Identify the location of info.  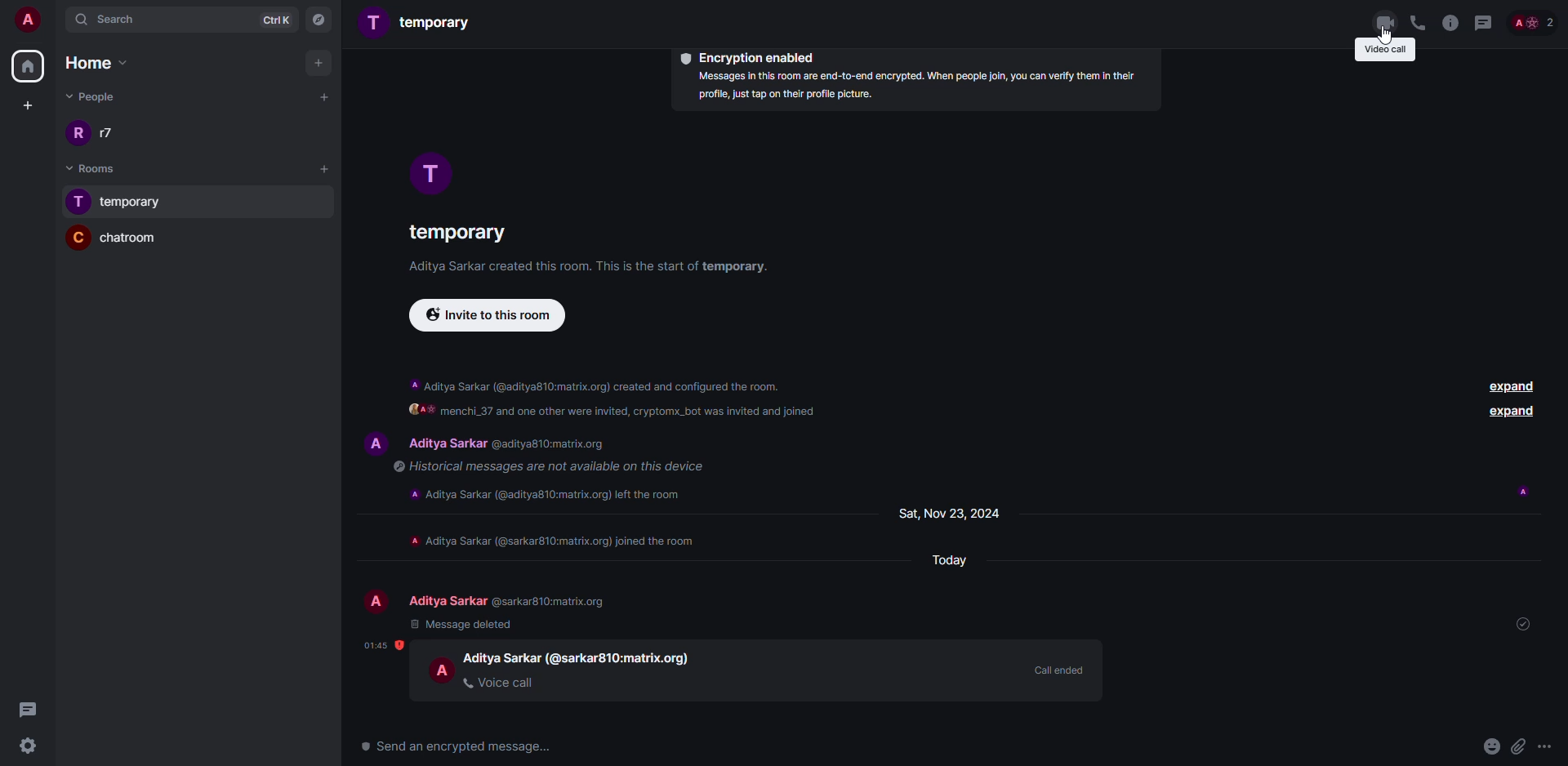
(592, 267).